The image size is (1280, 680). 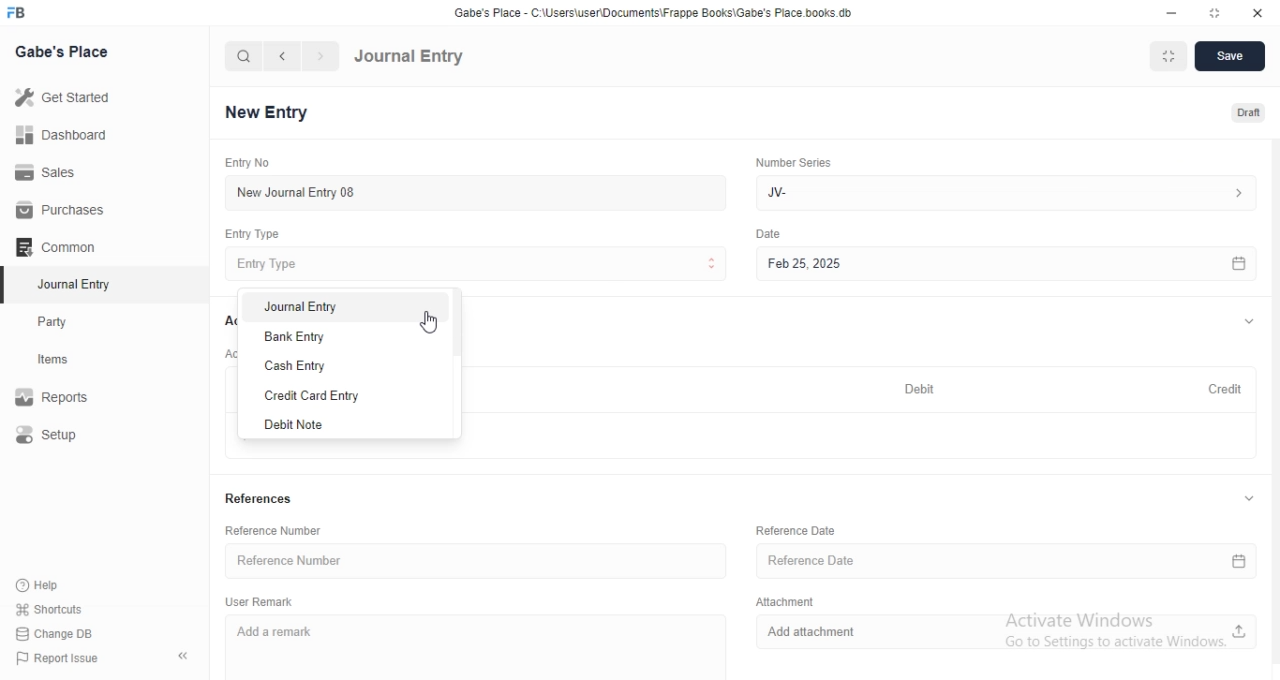 What do you see at coordinates (793, 164) in the screenshot?
I see `Number Series` at bounding box center [793, 164].